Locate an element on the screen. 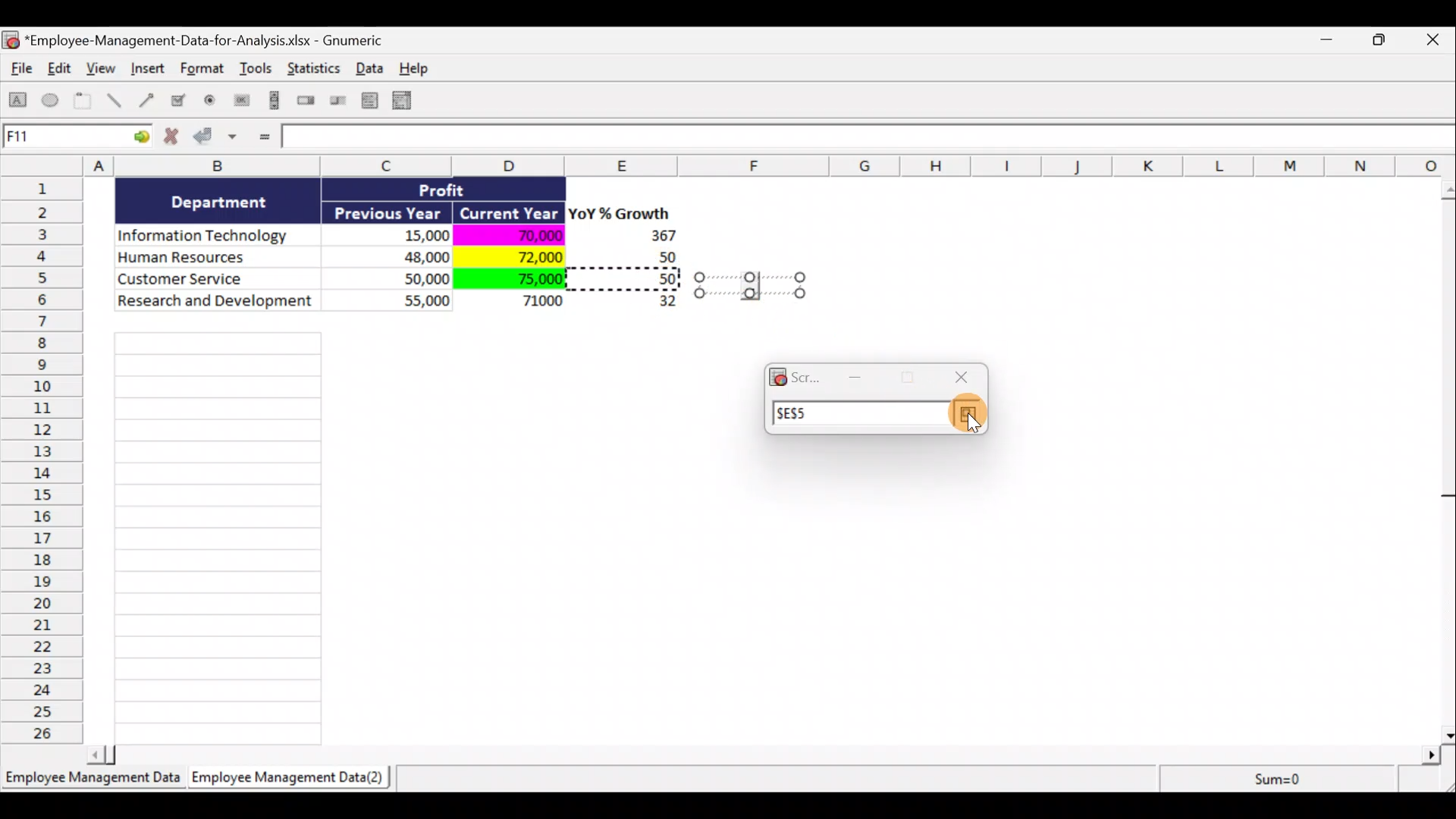 The height and width of the screenshot is (819, 1456). Create an ellipse object is located at coordinates (51, 101).